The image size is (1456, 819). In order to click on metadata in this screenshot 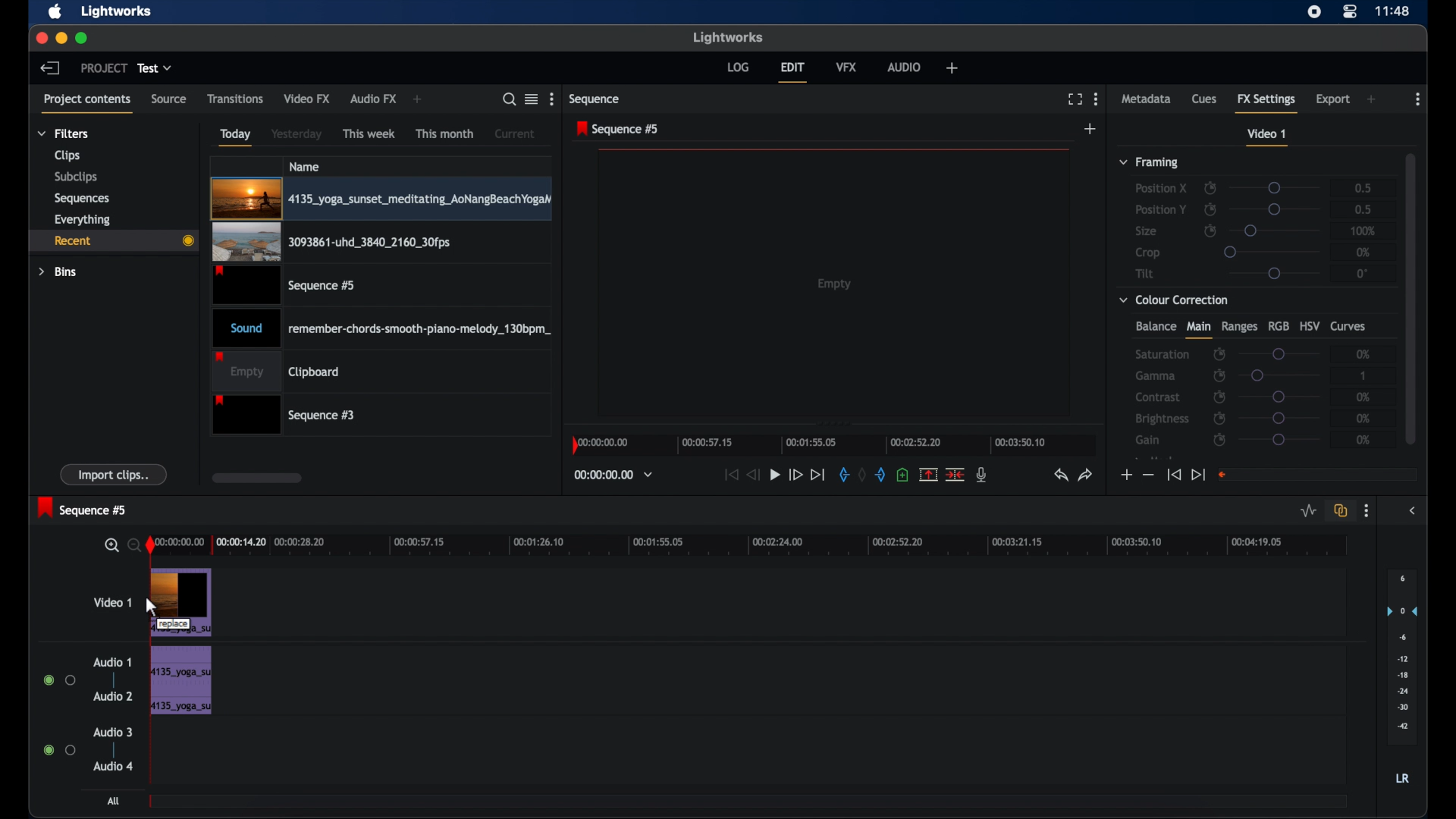, I will do `click(1147, 99)`.